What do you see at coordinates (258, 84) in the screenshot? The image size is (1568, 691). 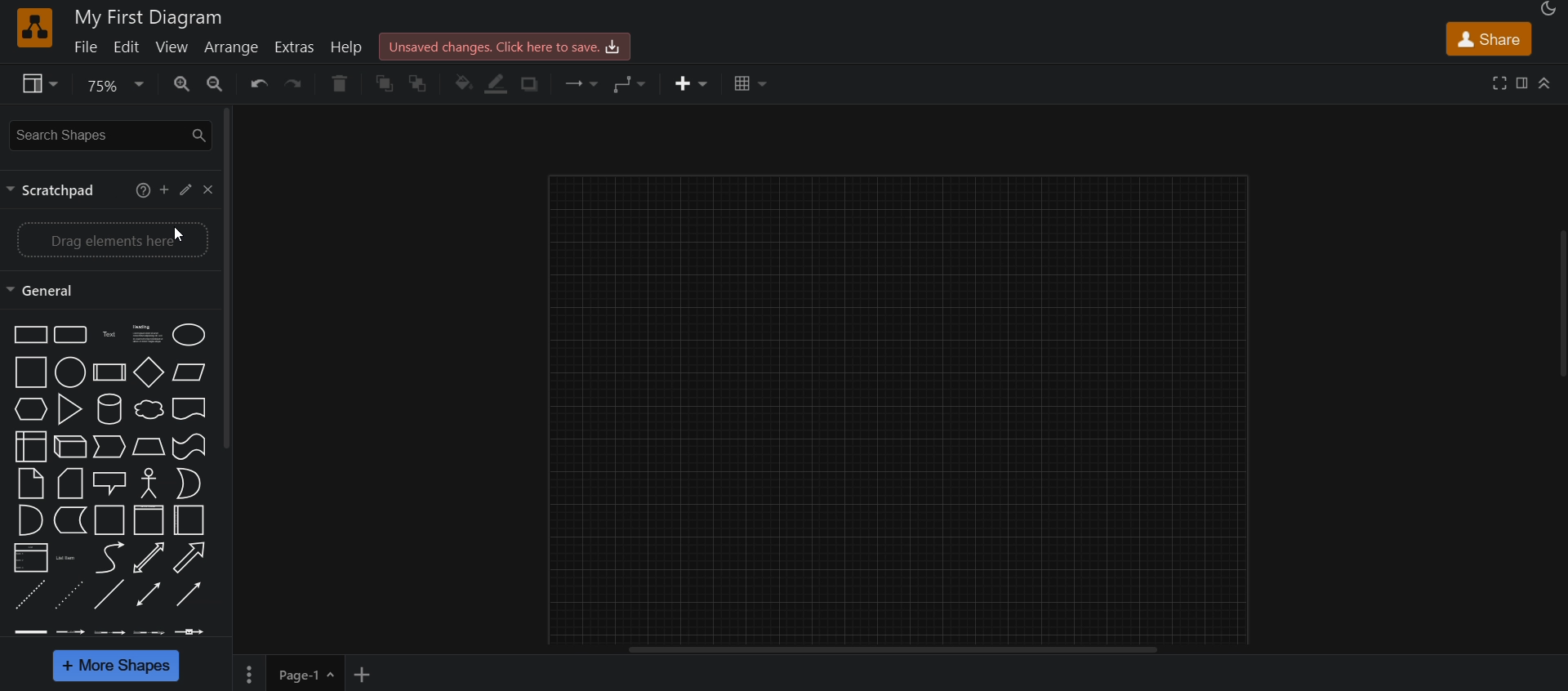 I see `undo` at bounding box center [258, 84].